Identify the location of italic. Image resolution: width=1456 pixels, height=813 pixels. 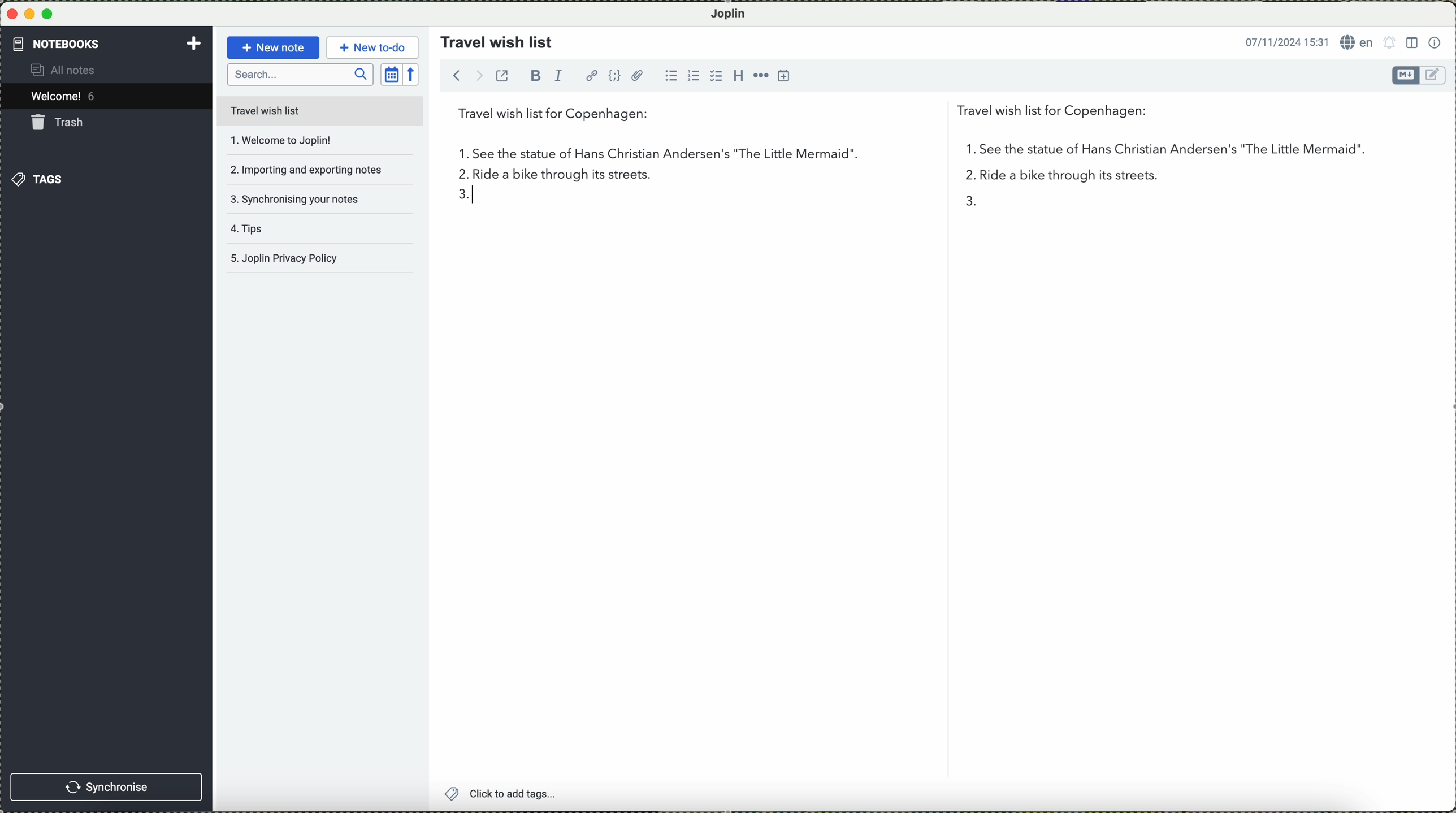
(562, 77).